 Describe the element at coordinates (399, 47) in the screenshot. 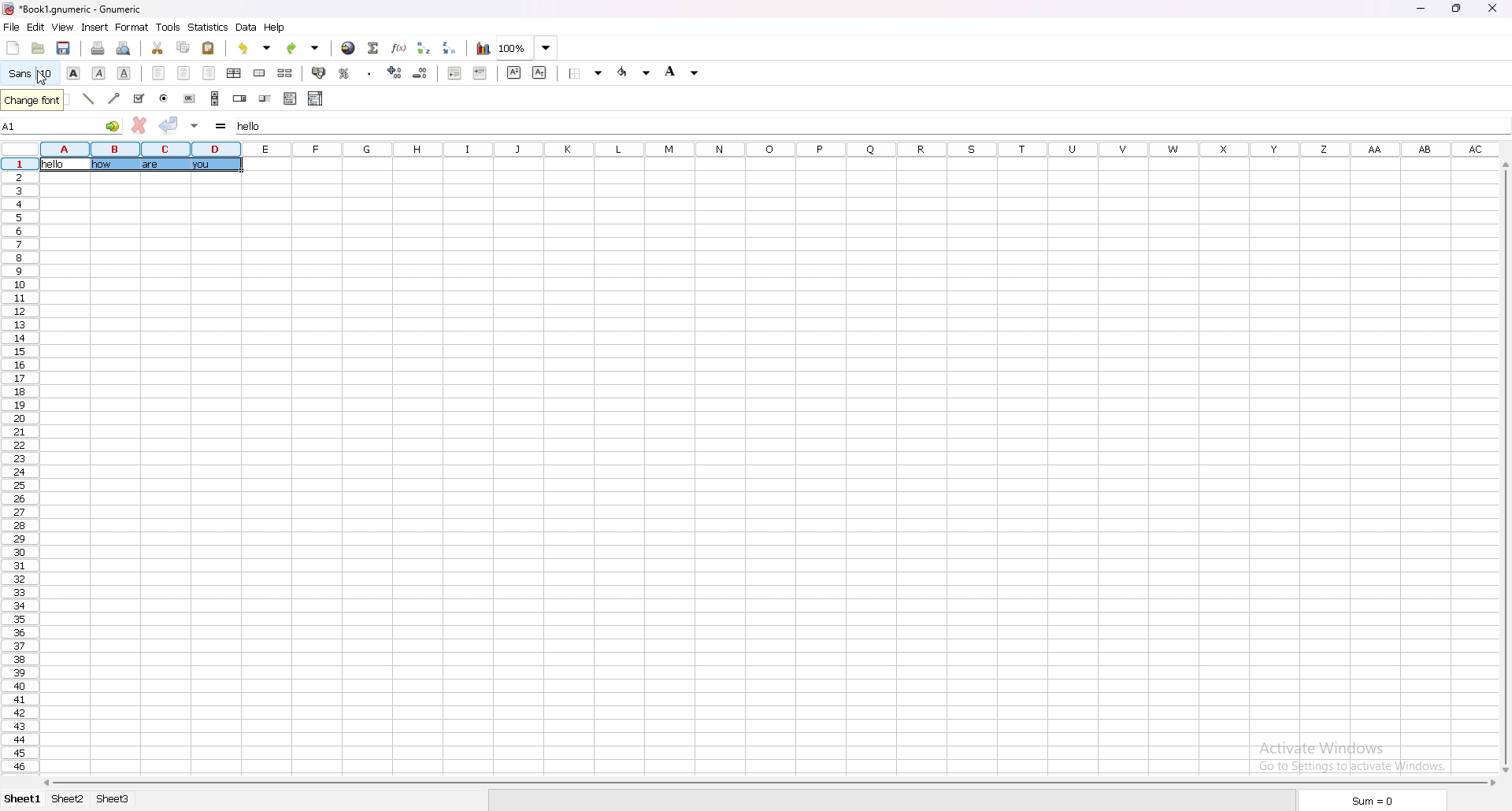

I see `functions` at that location.